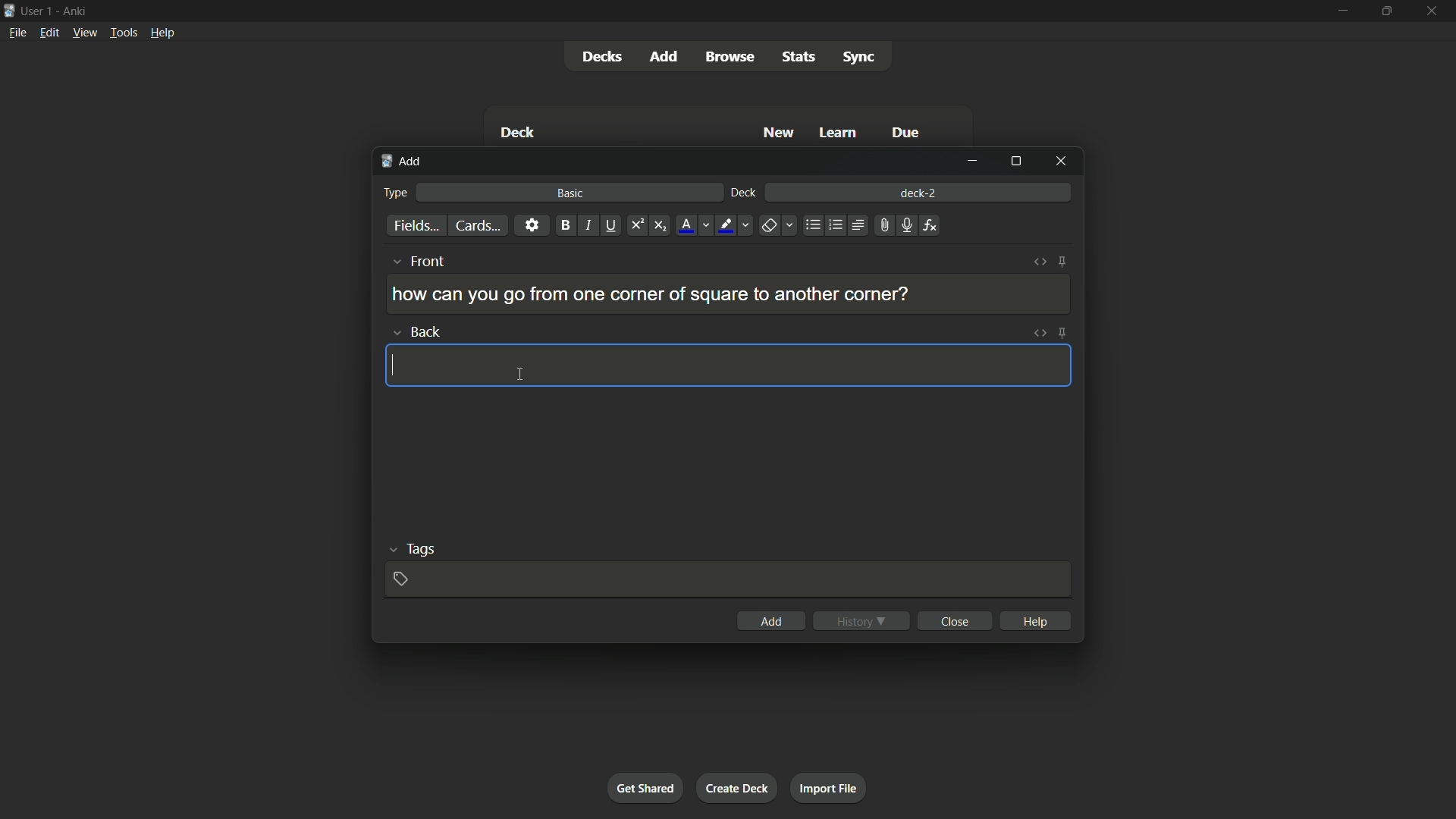 Image resolution: width=1456 pixels, height=819 pixels. Describe the element at coordinates (840, 133) in the screenshot. I see `learn` at that location.